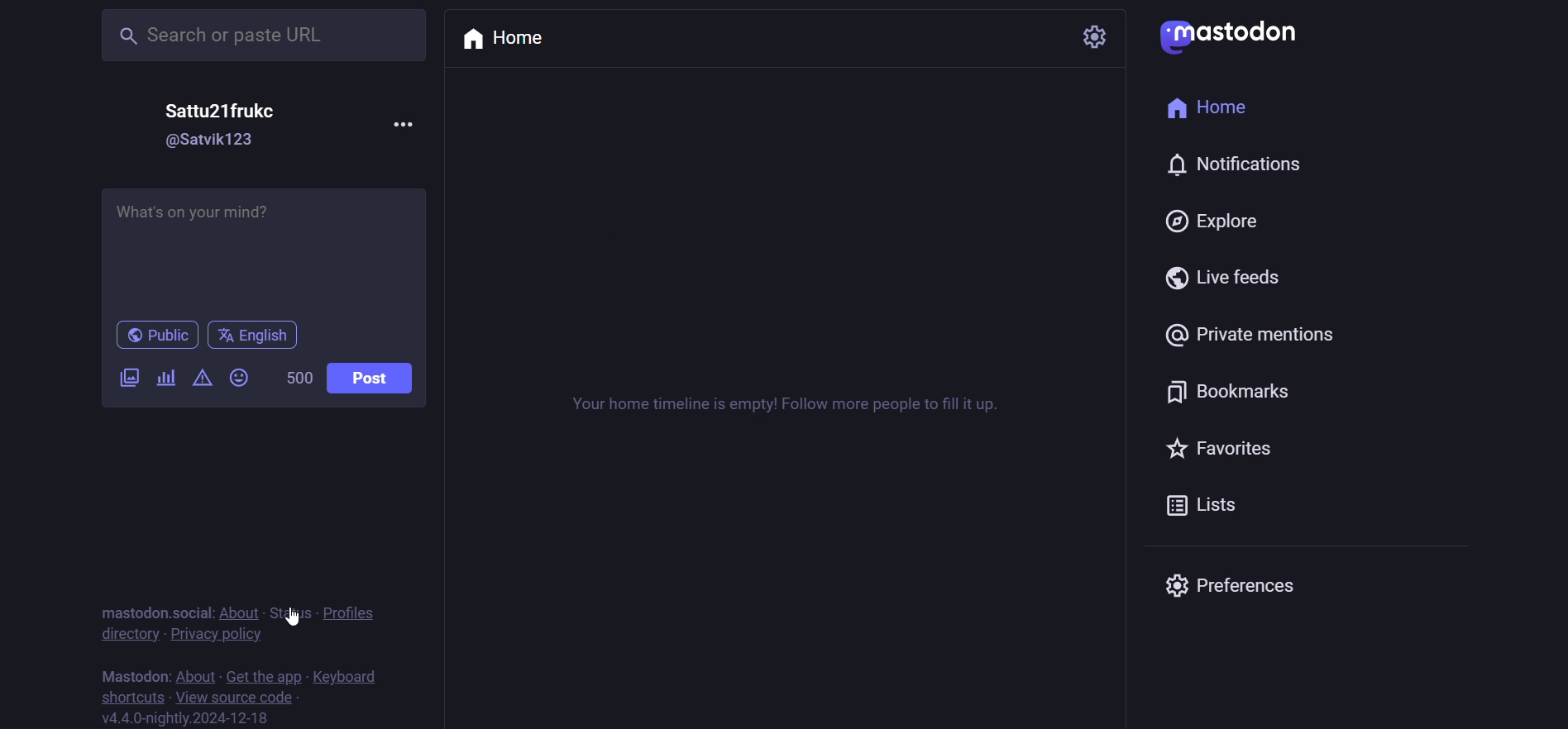 This screenshot has height=729, width=1568. Describe the element at coordinates (151, 336) in the screenshot. I see `public` at that location.